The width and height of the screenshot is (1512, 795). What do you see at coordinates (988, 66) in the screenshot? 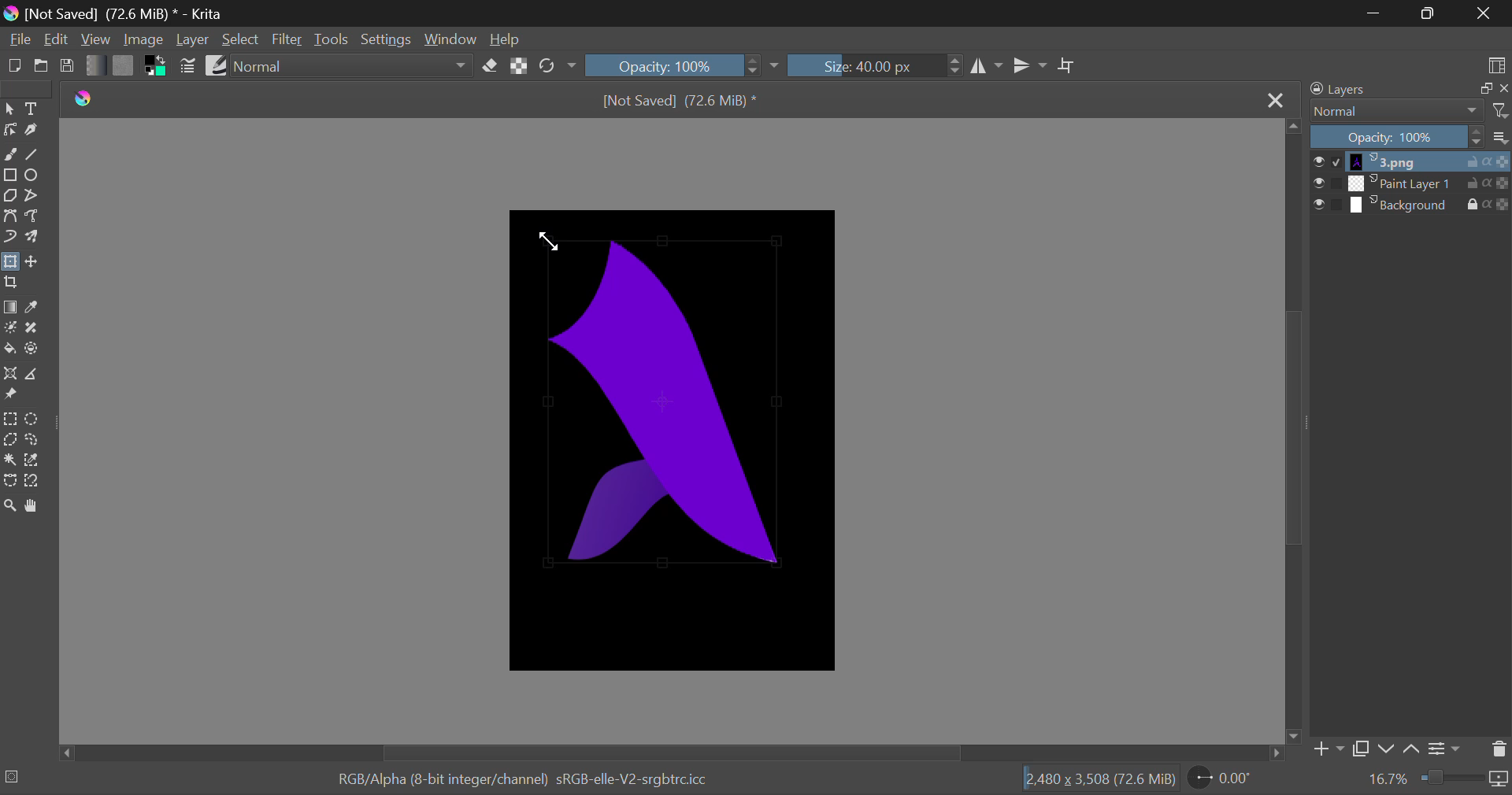
I see `Vertical Mirror Flip` at bounding box center [988, 66].